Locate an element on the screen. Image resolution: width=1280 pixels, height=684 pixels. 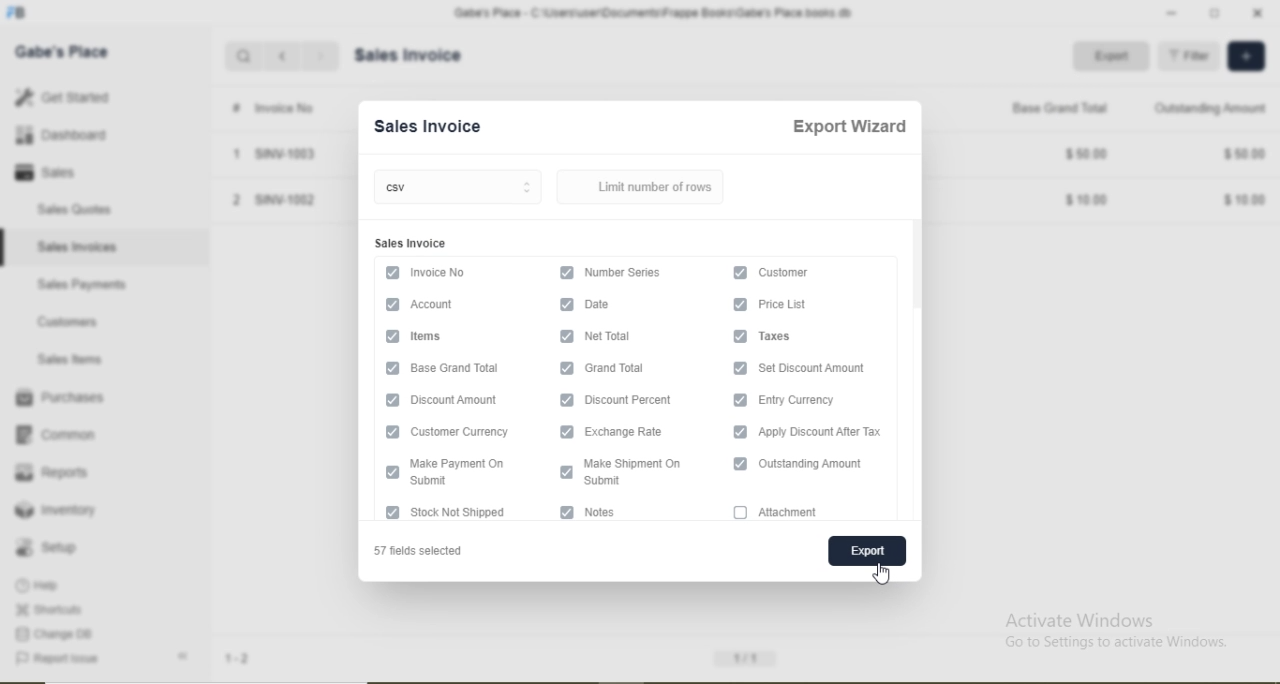
checkbox is located at coordinates (741, 465).